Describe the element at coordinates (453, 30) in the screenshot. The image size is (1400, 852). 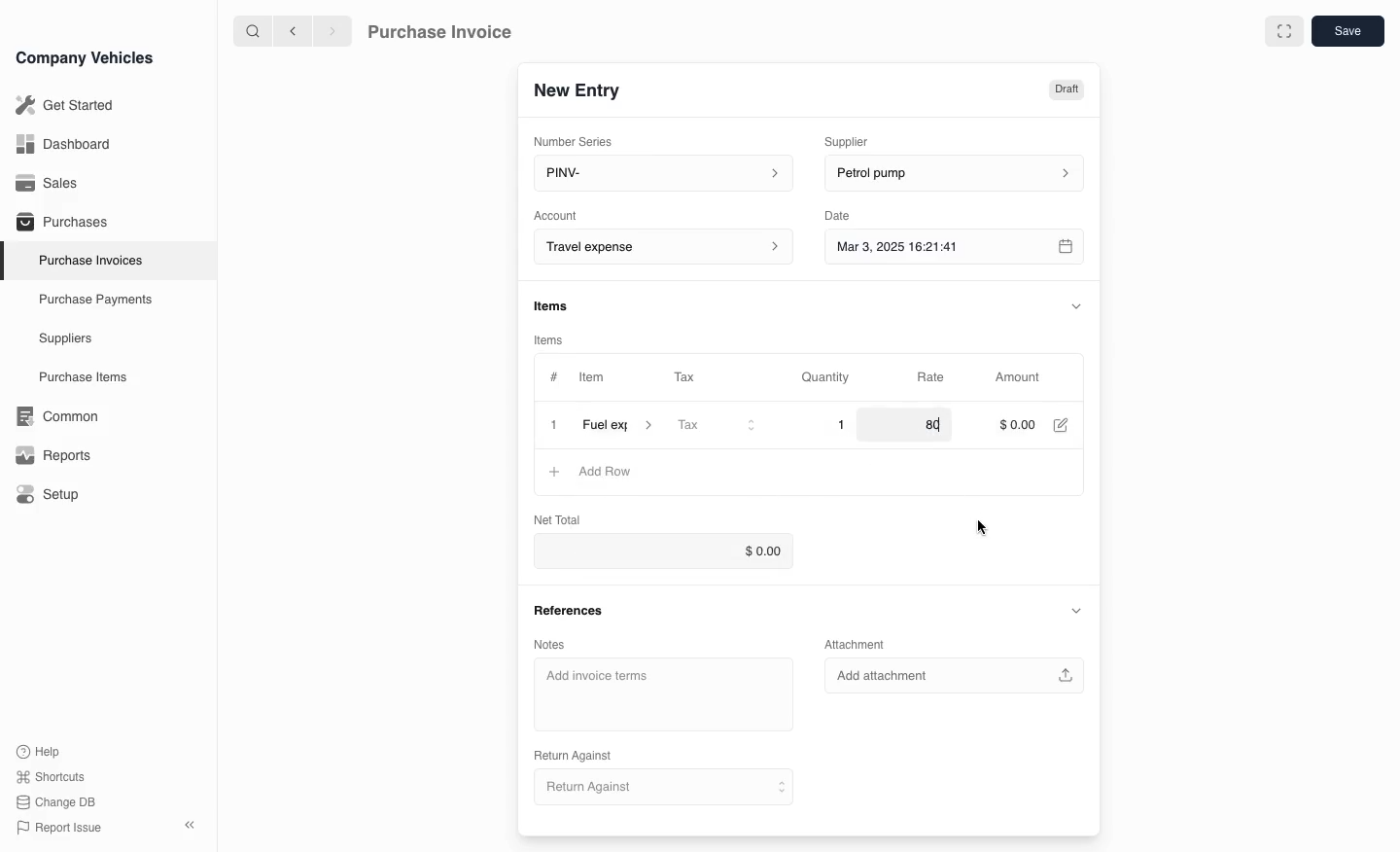
I see `Purchase Invoice` at that location.